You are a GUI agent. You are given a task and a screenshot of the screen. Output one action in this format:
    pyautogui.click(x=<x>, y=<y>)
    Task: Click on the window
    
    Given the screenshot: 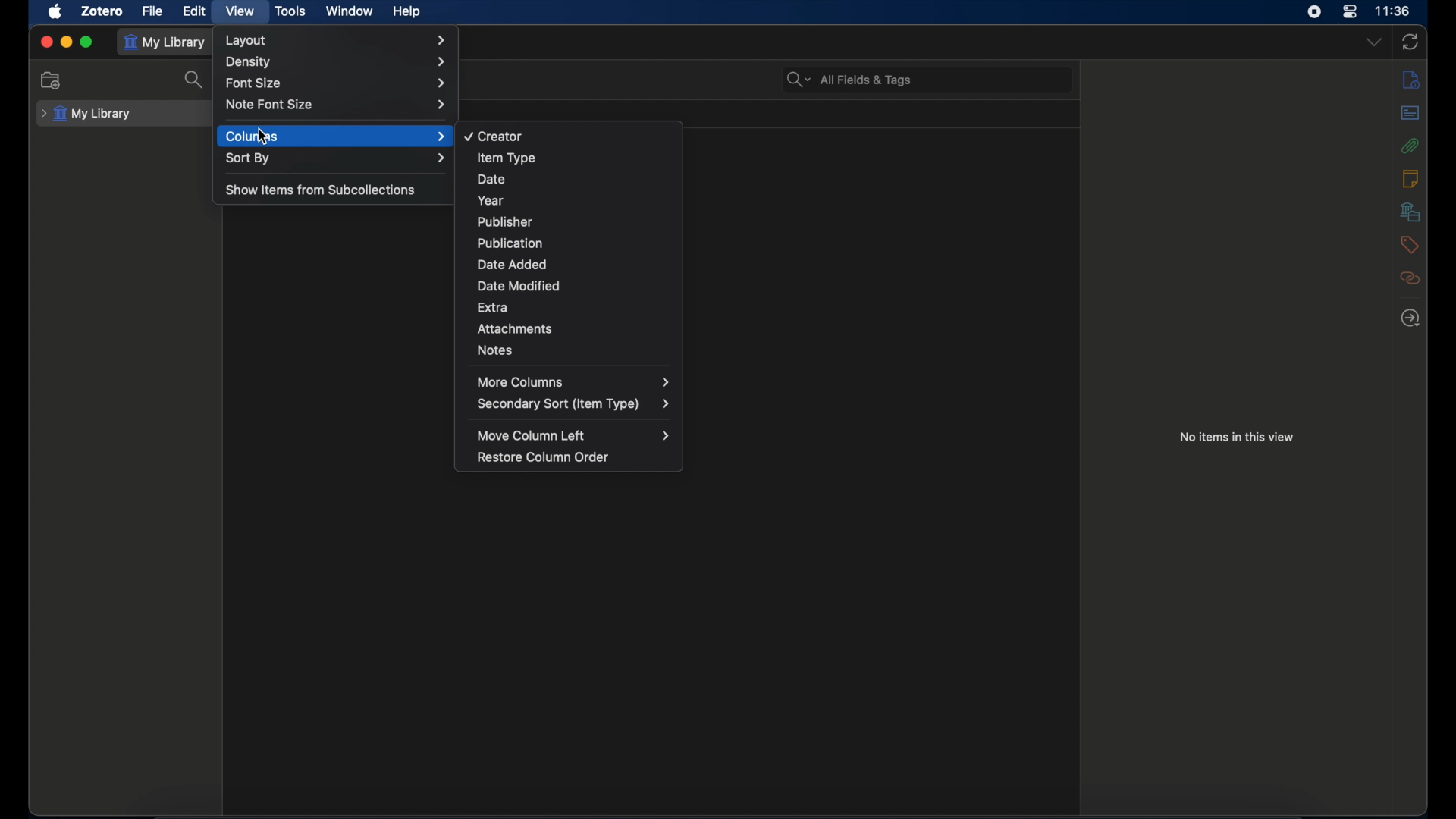 What is the action you would take?
    pyautogui.click(x=351, y=11)
    